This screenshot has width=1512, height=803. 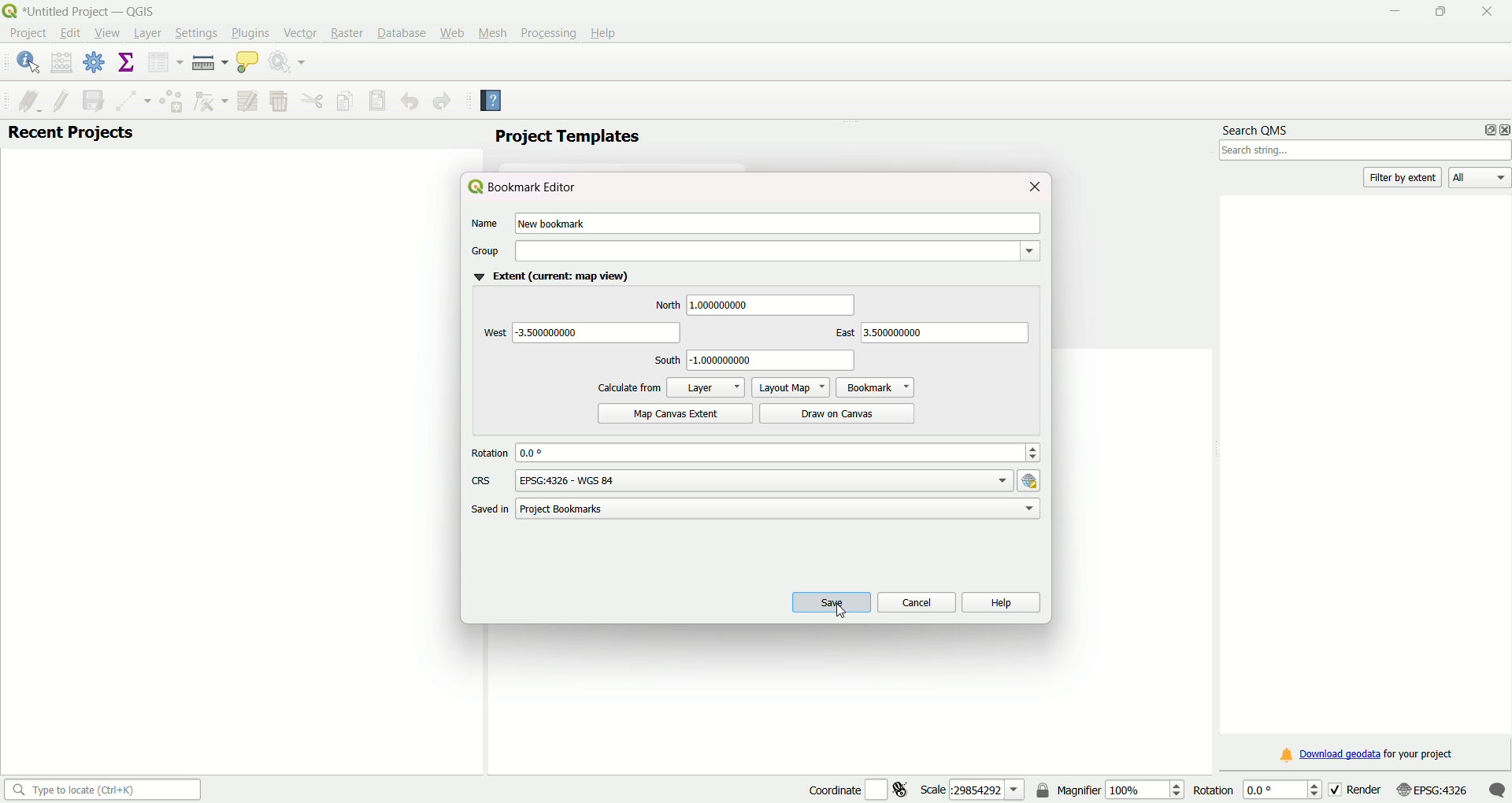 I want to click on Extent, so click(x=549, y=278).